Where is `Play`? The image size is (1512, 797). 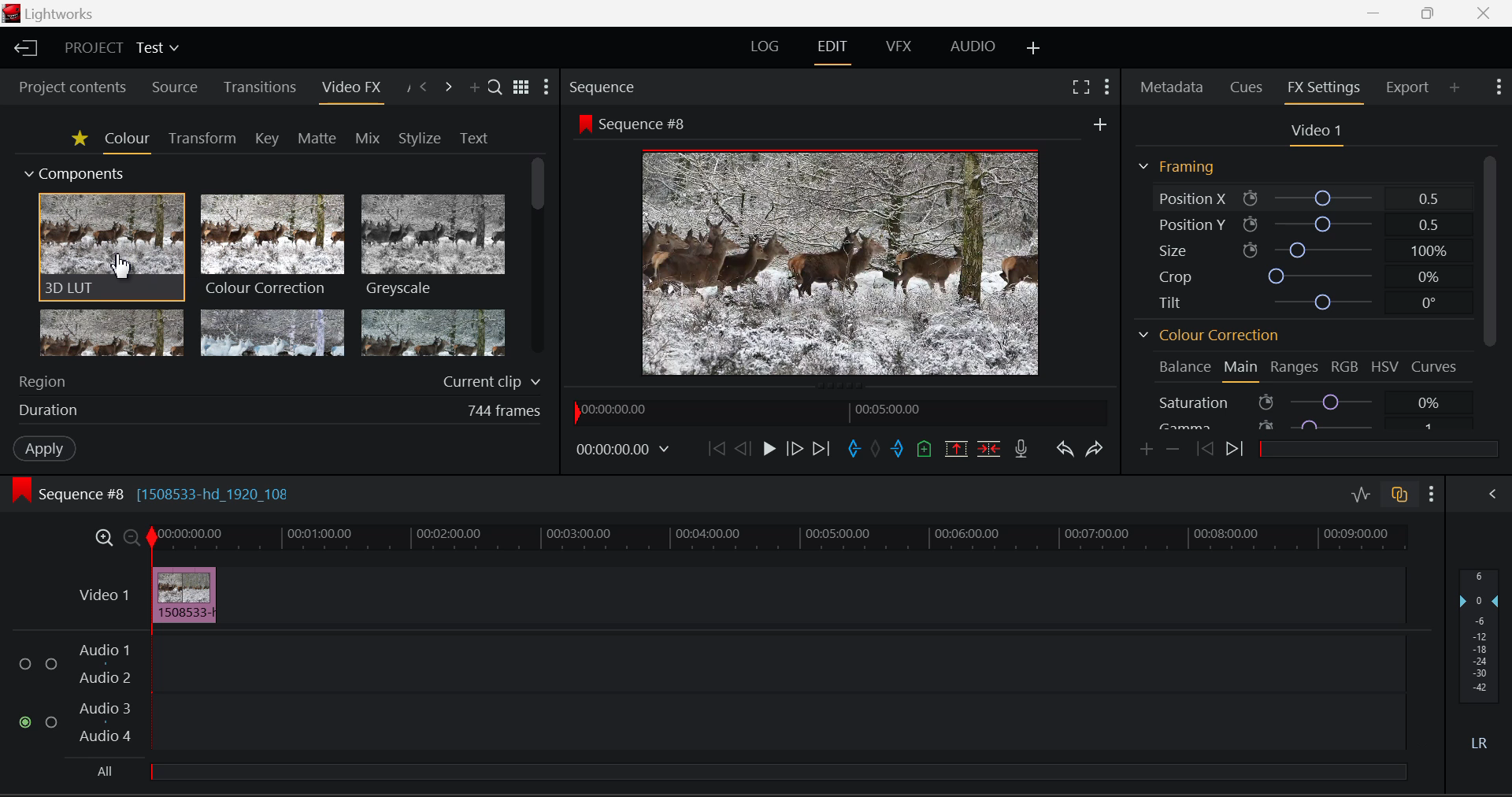 Play is located at coordinates (767, 449).